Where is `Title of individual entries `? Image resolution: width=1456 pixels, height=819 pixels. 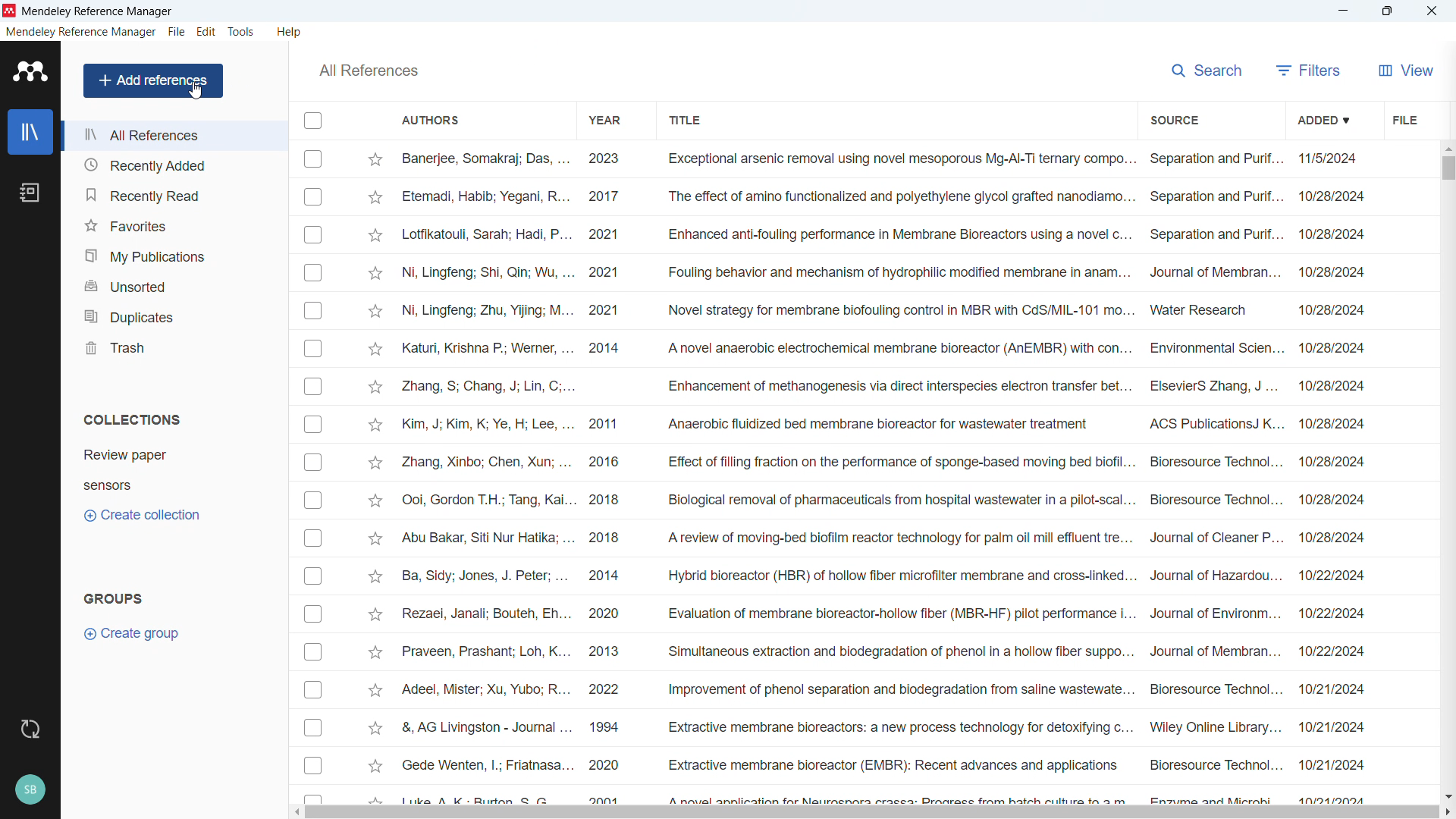
Title of individual entries  is located at coordinates (896, 475).